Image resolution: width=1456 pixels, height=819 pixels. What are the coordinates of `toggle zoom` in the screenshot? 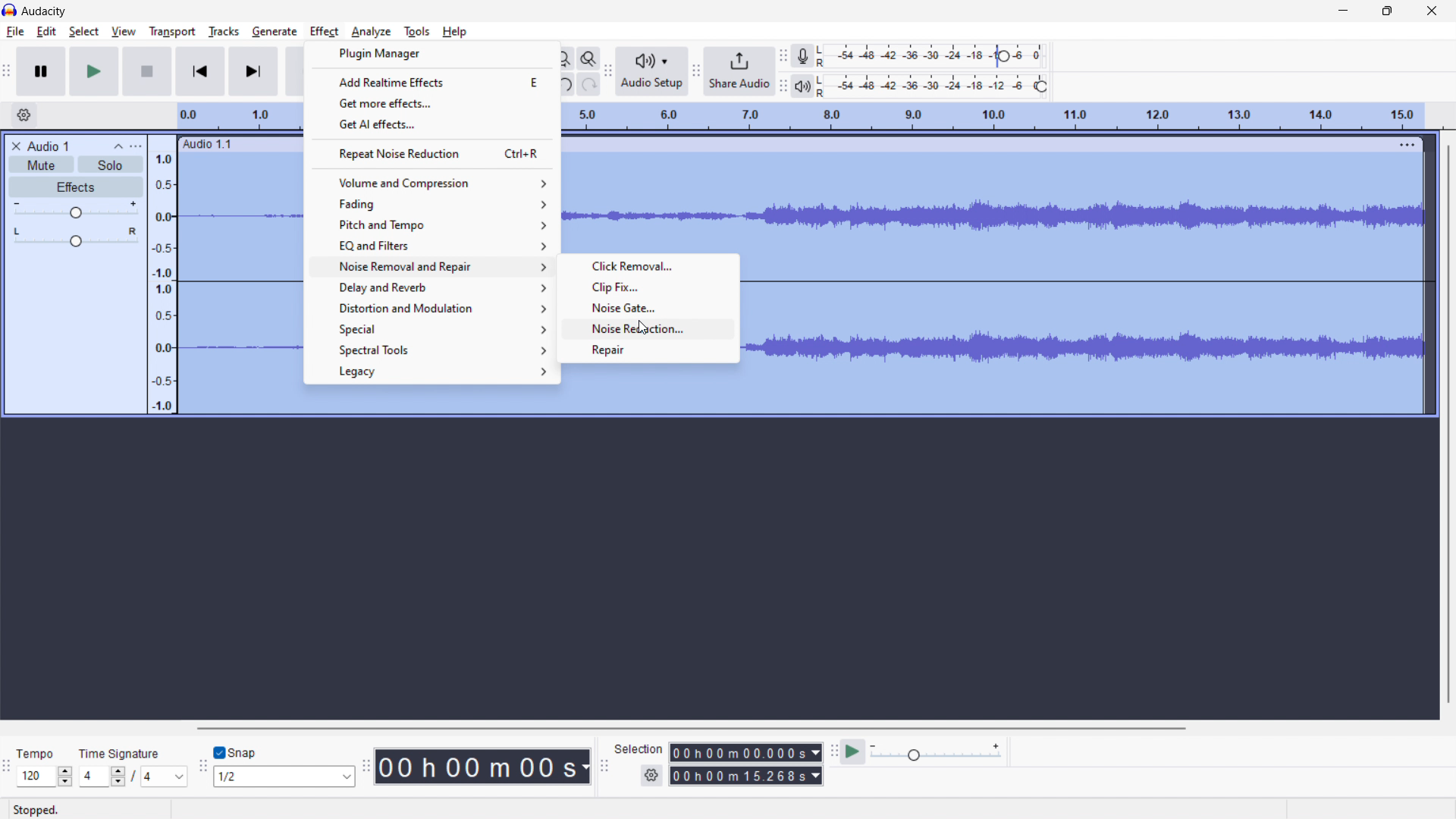 It's located at (588, 58).